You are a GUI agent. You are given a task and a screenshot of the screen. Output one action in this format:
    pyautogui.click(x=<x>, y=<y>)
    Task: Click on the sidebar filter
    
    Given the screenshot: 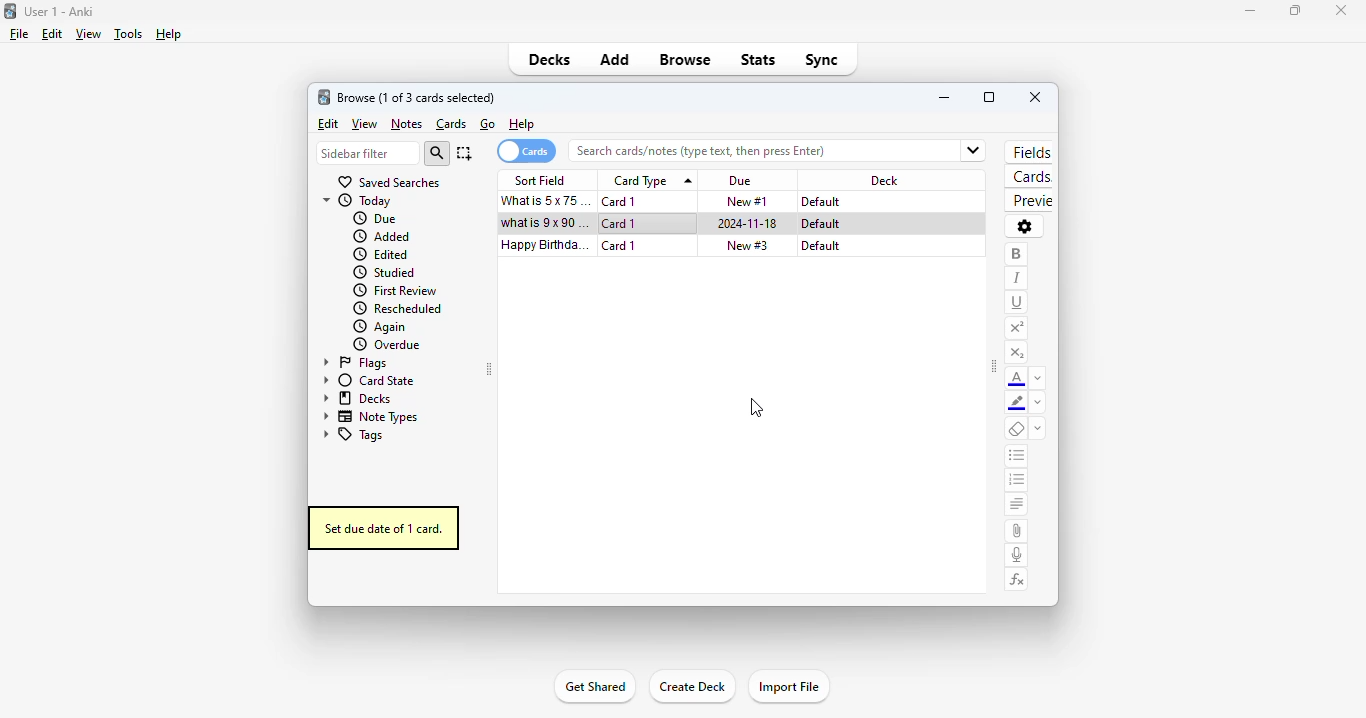 What is the action you would take?
    pyautogui.click(x=369, y=153)
    